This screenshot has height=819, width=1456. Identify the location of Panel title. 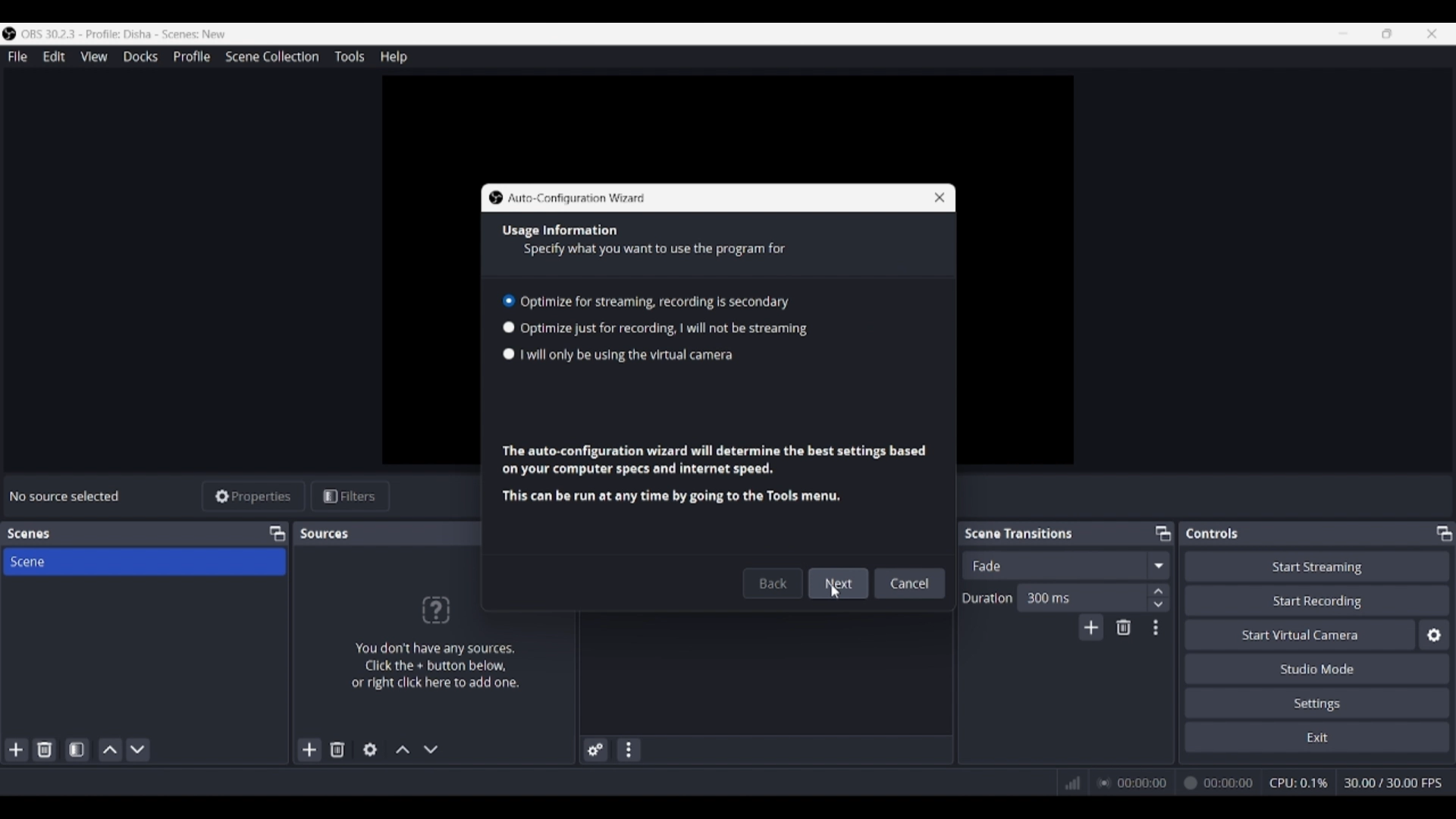
(326, 533).